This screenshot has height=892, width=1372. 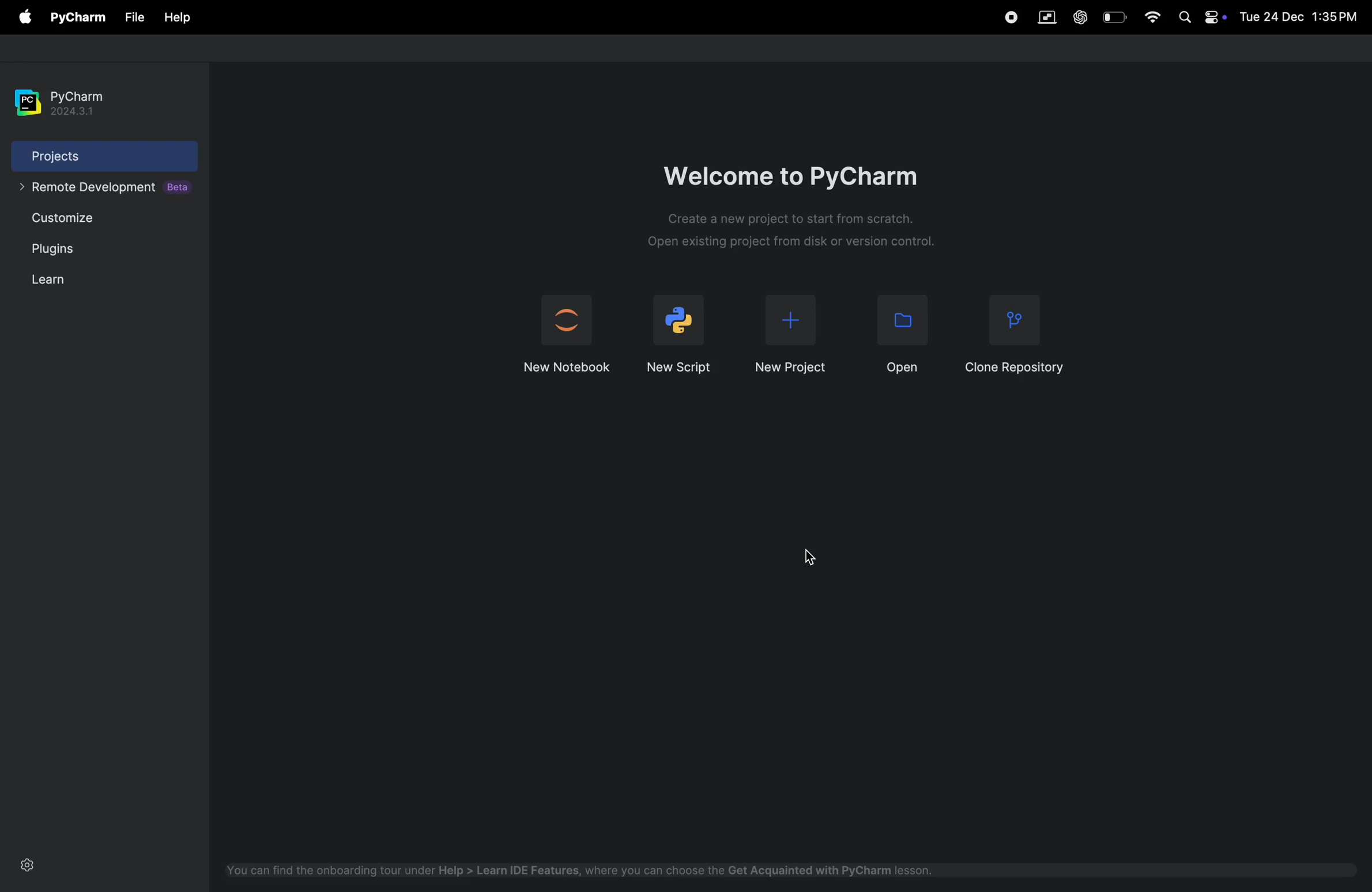 I want to click on new project, so click(x=791, y=331).